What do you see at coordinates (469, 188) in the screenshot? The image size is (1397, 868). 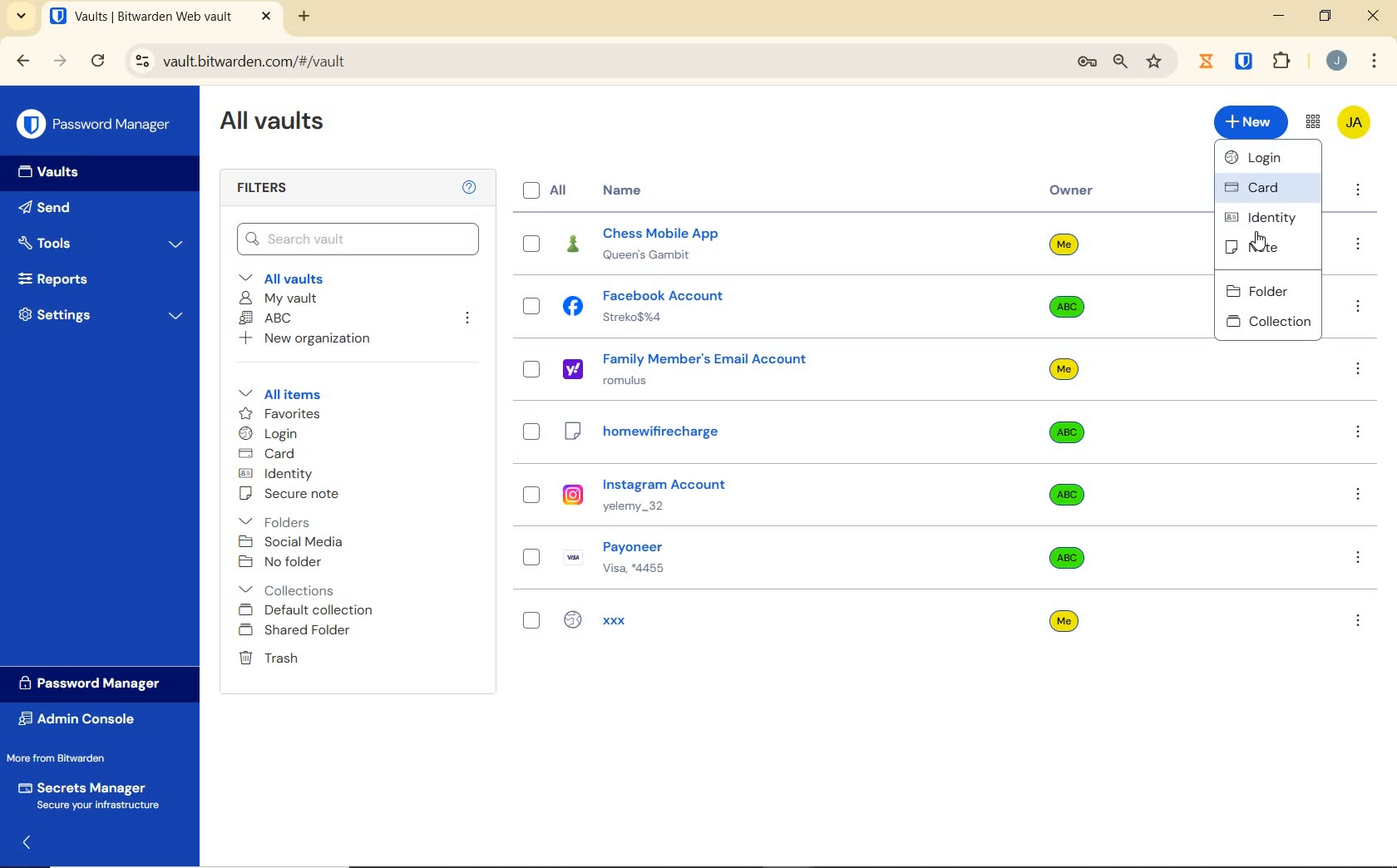 I see `help` at bounding box center [469, 188].